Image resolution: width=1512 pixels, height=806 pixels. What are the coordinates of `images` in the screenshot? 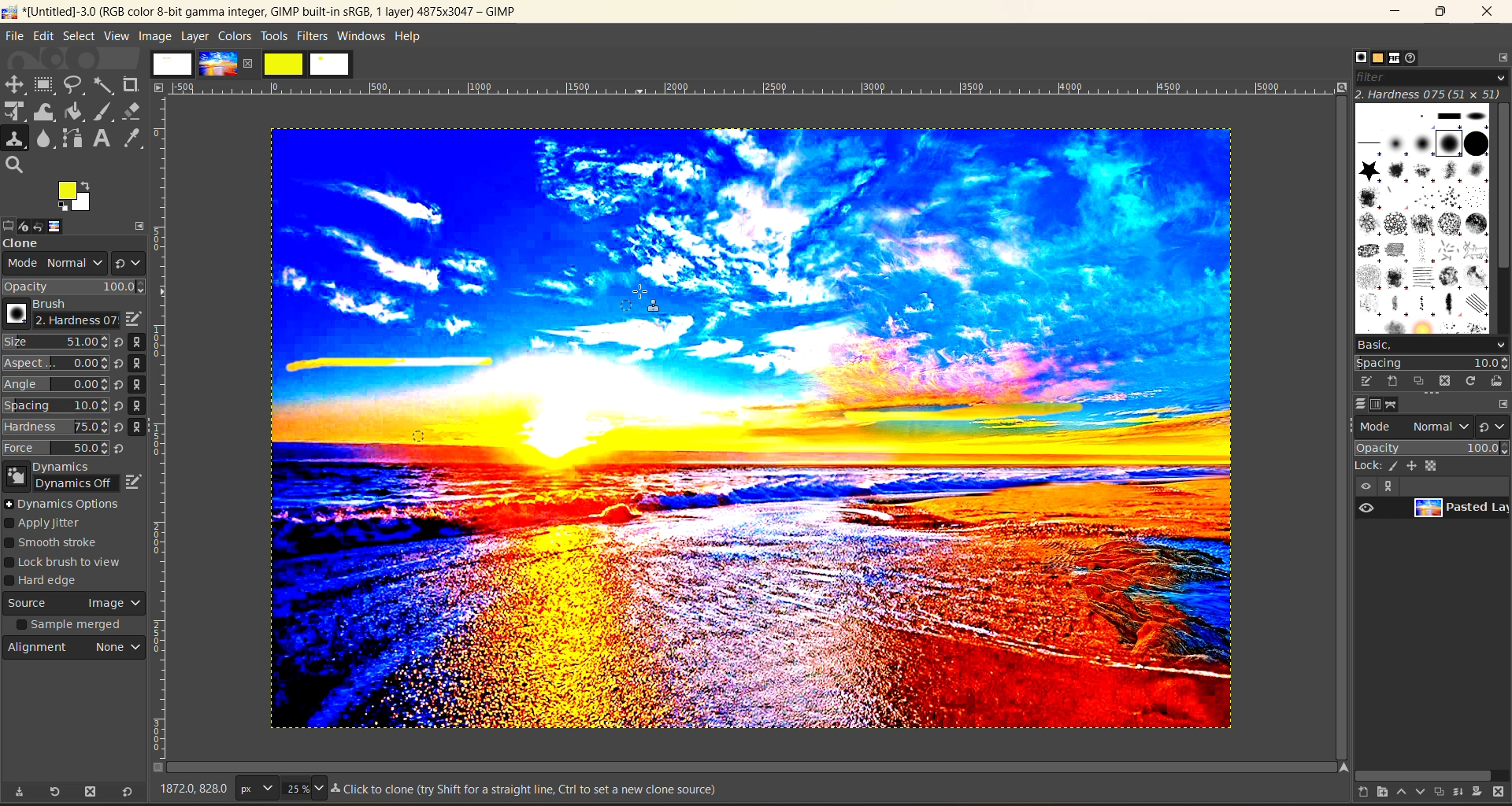 It's located at (172, 64).